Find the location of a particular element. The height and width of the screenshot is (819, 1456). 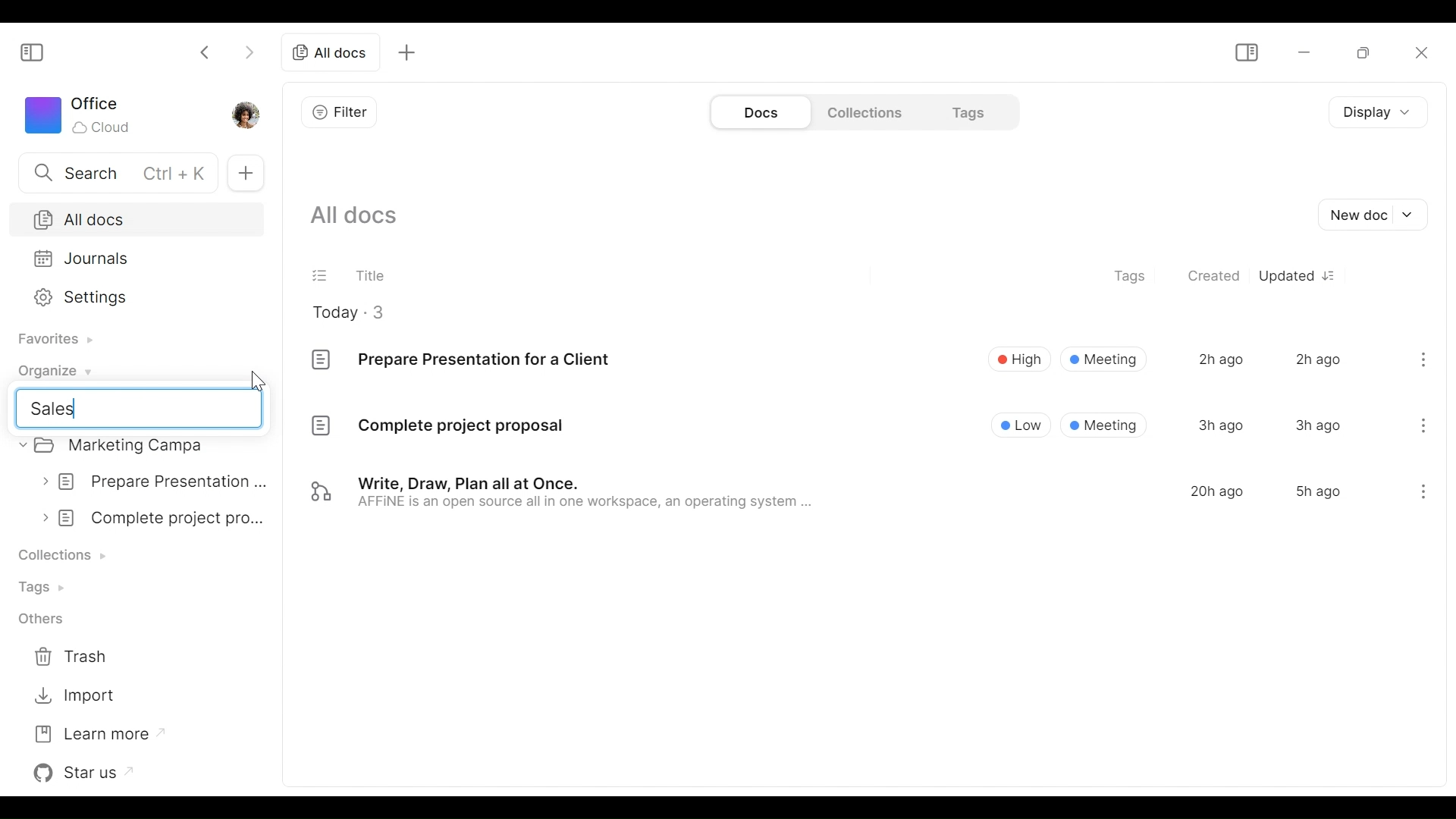

3h ago is located at coordinates (1221, 425).